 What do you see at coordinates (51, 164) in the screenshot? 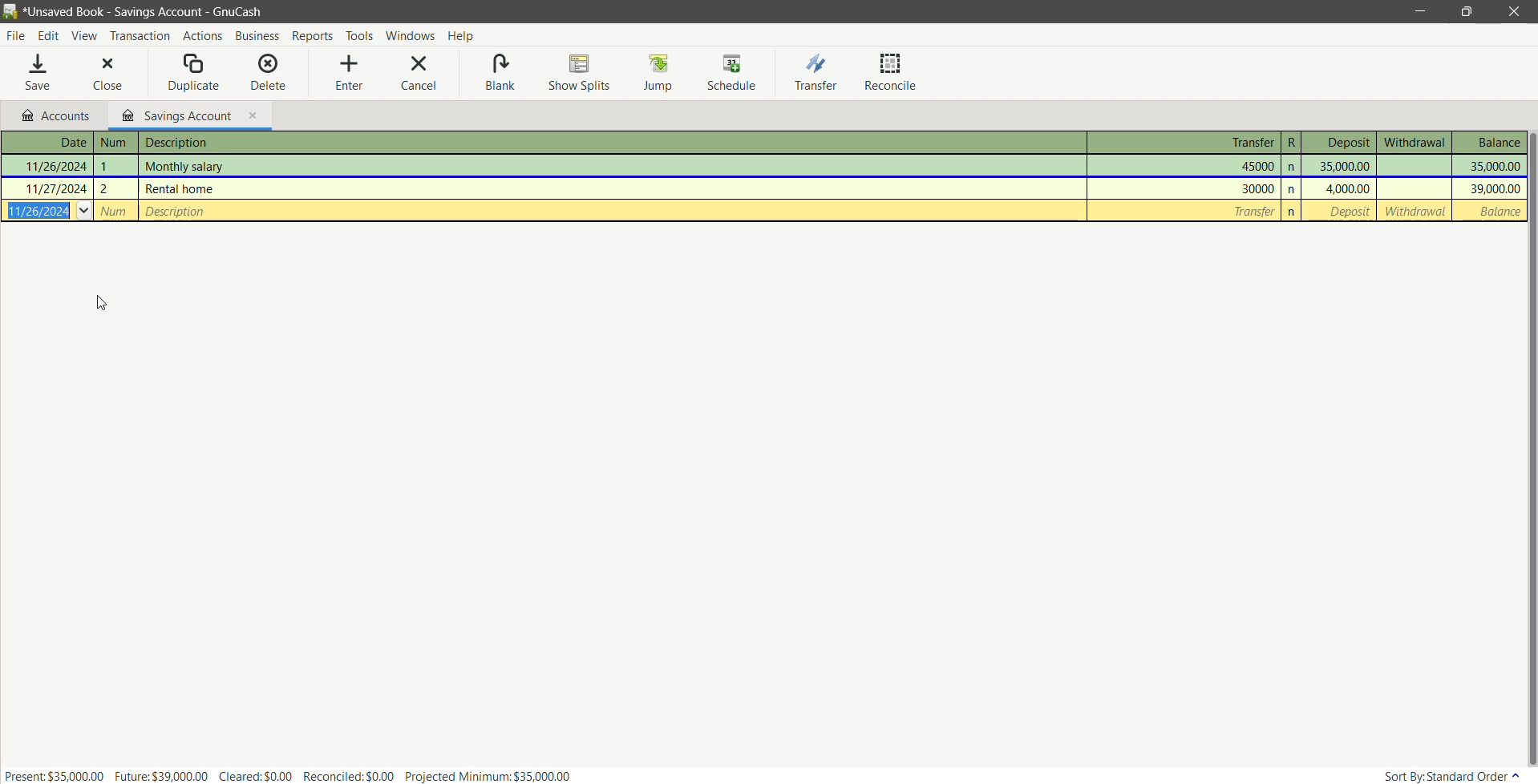
I see `11/26/2024` at bounding box center [51, 164].